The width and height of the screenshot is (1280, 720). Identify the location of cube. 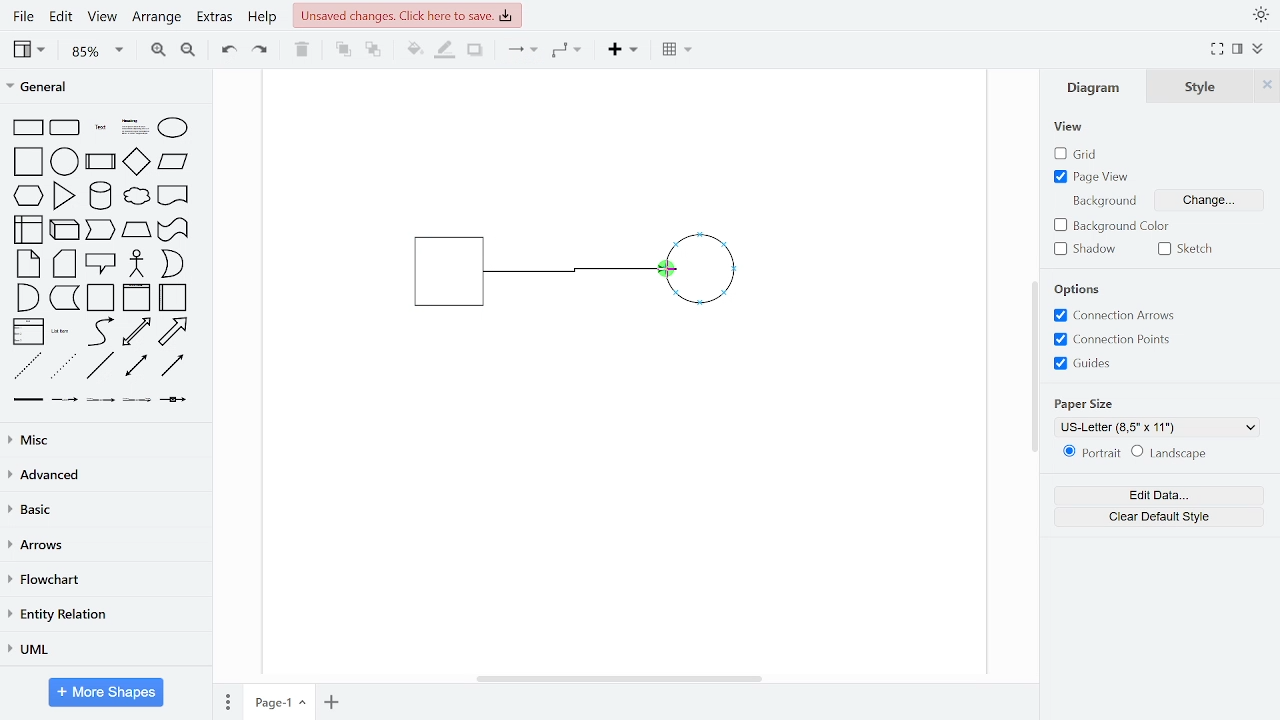
(66, 228).